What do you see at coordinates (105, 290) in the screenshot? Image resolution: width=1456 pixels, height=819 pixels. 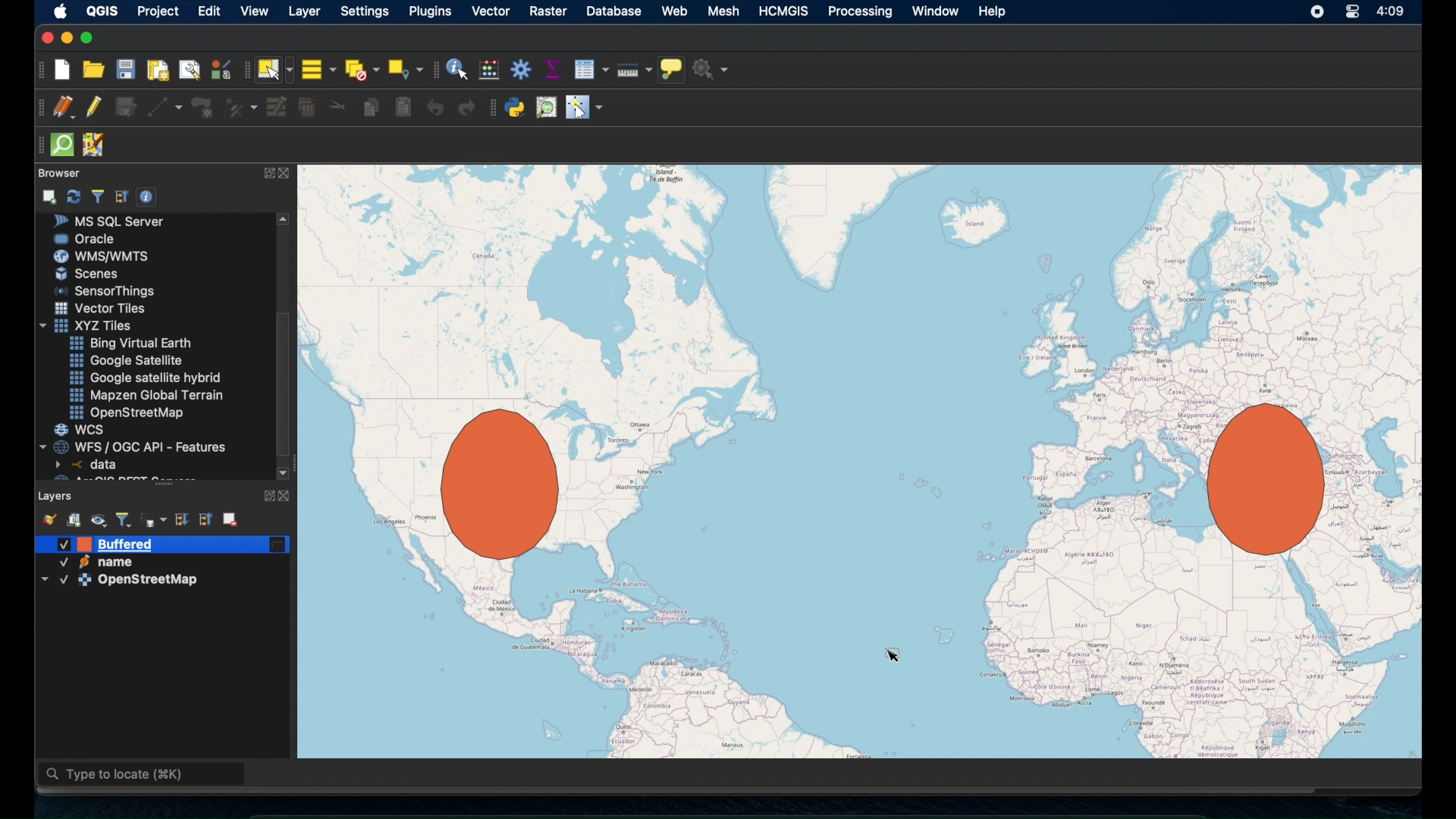 I see `sensor things` at bounding box center [105, 290].